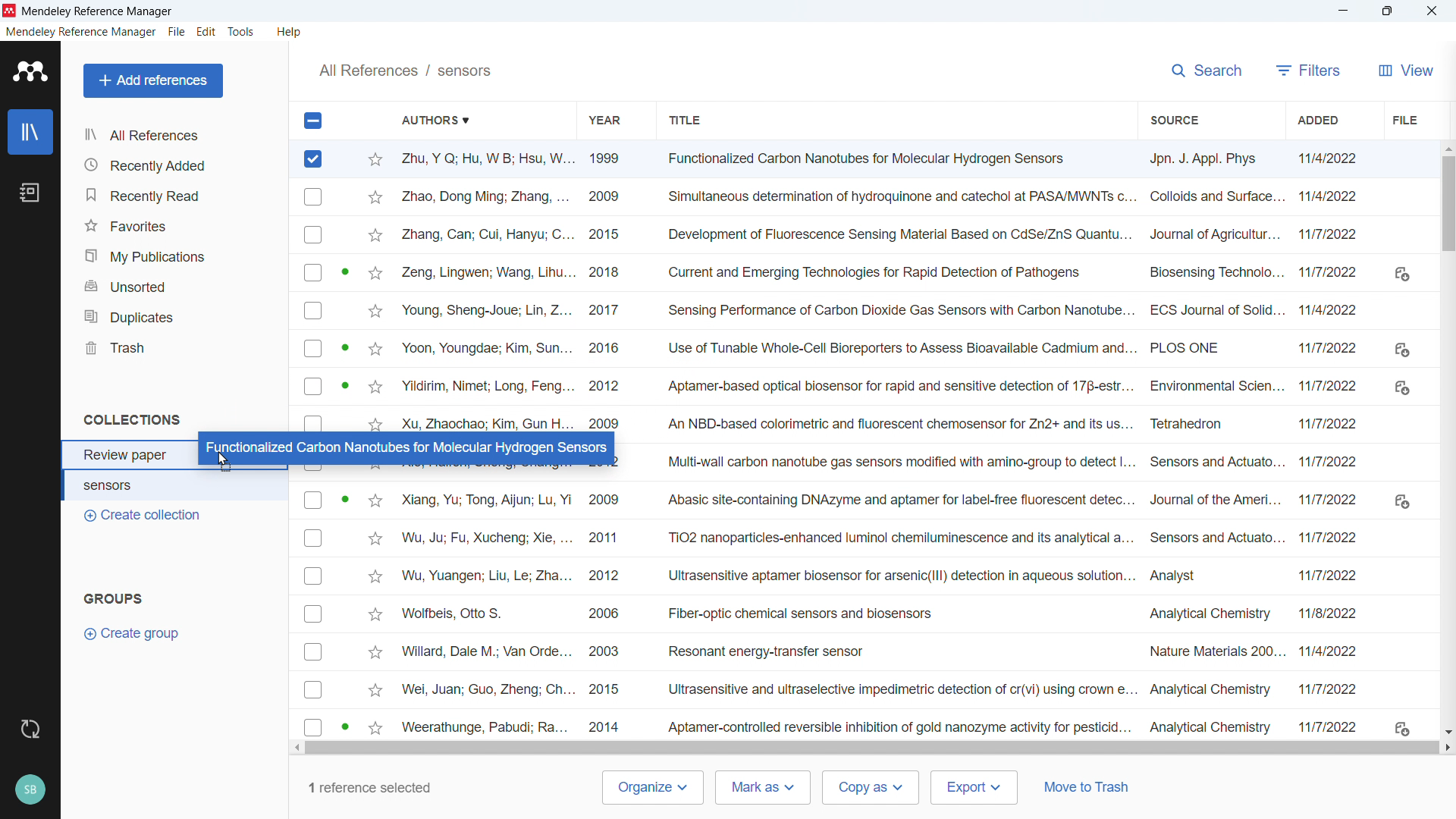  What do you see at coordinates (344, 270) in the screenshot?
I see `PDF available` at bounding box center [344, 270].